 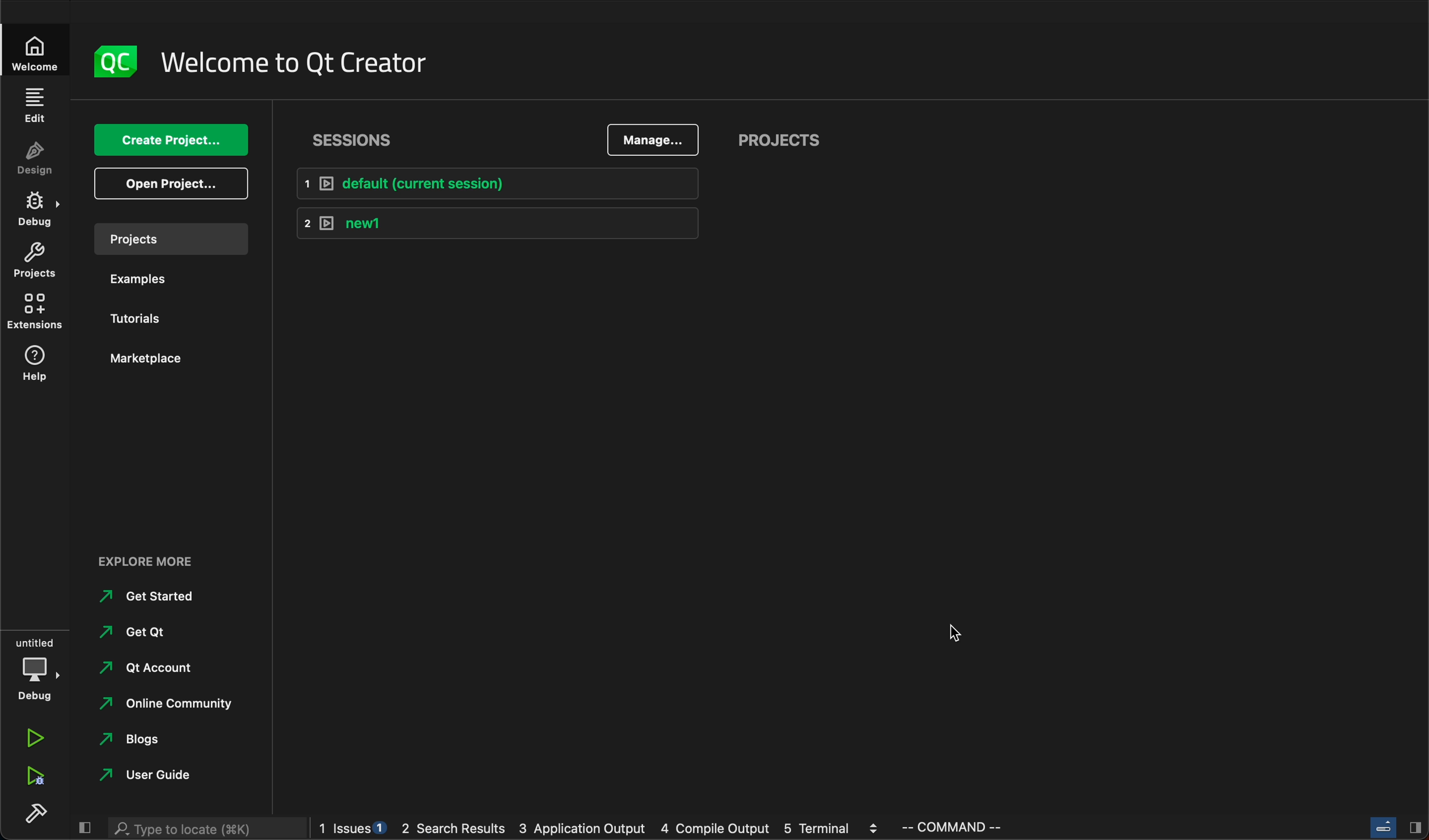 What do you see at coordinates (174, 182) in the screenshot?
I see `open` at bounding box center [174, 182].